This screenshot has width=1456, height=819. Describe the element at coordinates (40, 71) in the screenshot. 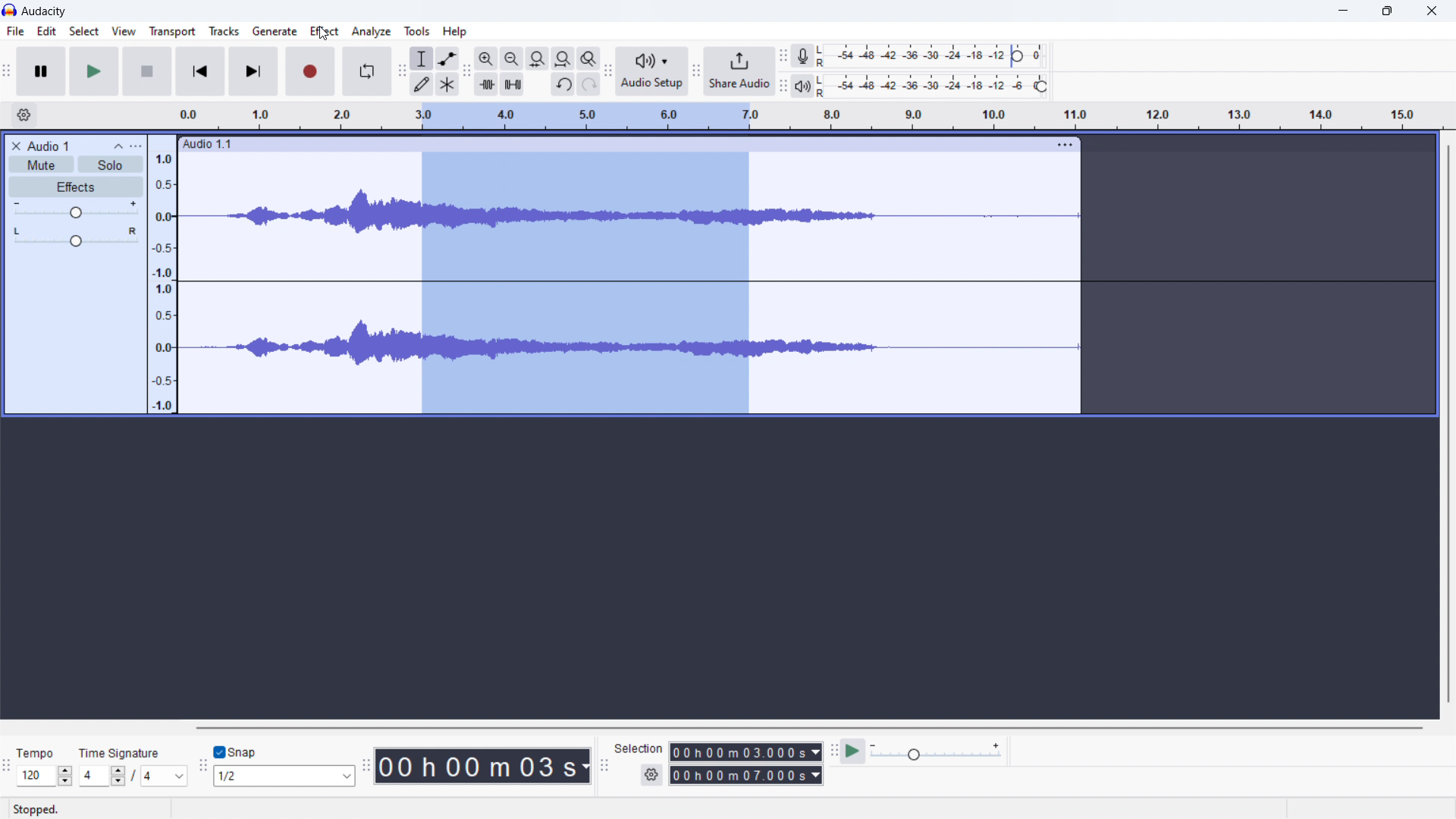

I see `pause` at that location.